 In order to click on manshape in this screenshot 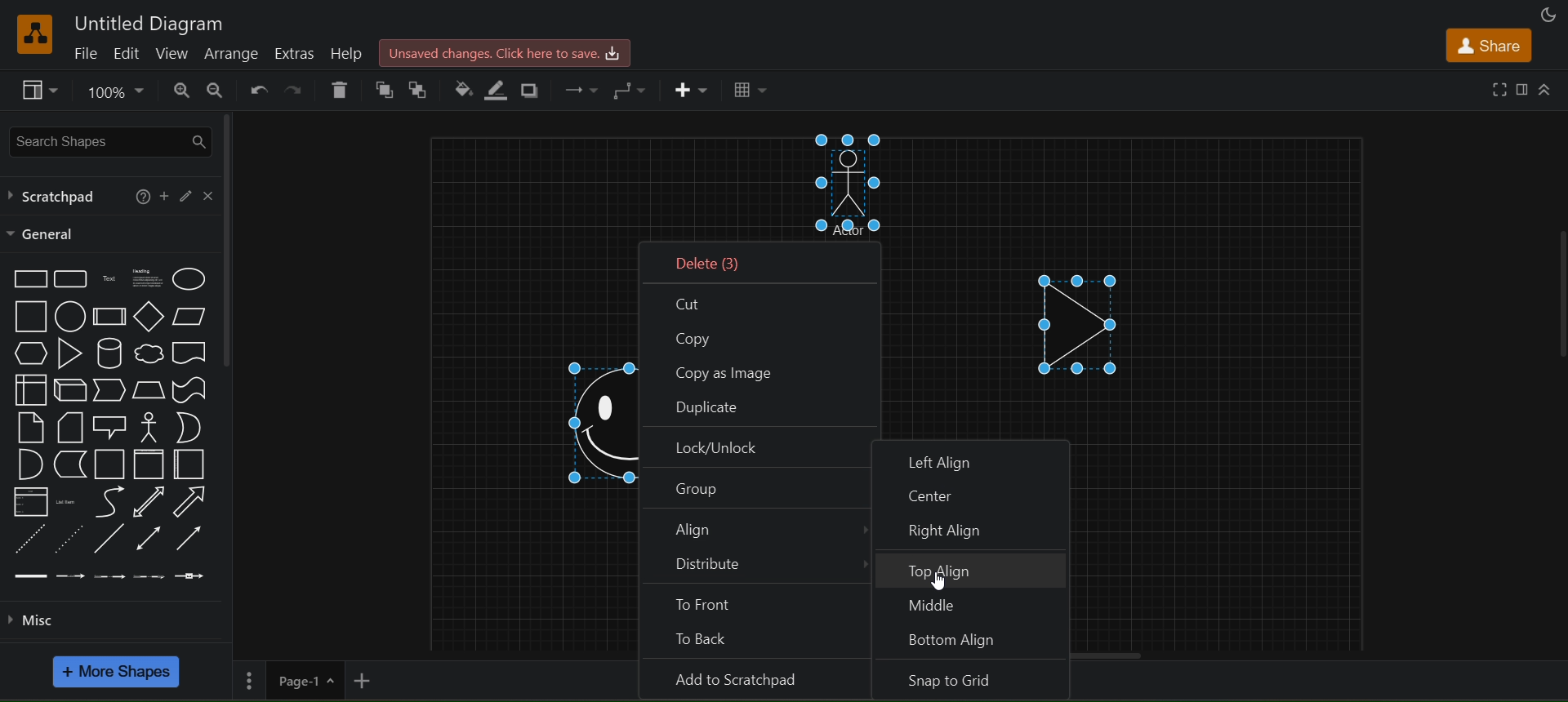, I will do `click(857, 187)`.